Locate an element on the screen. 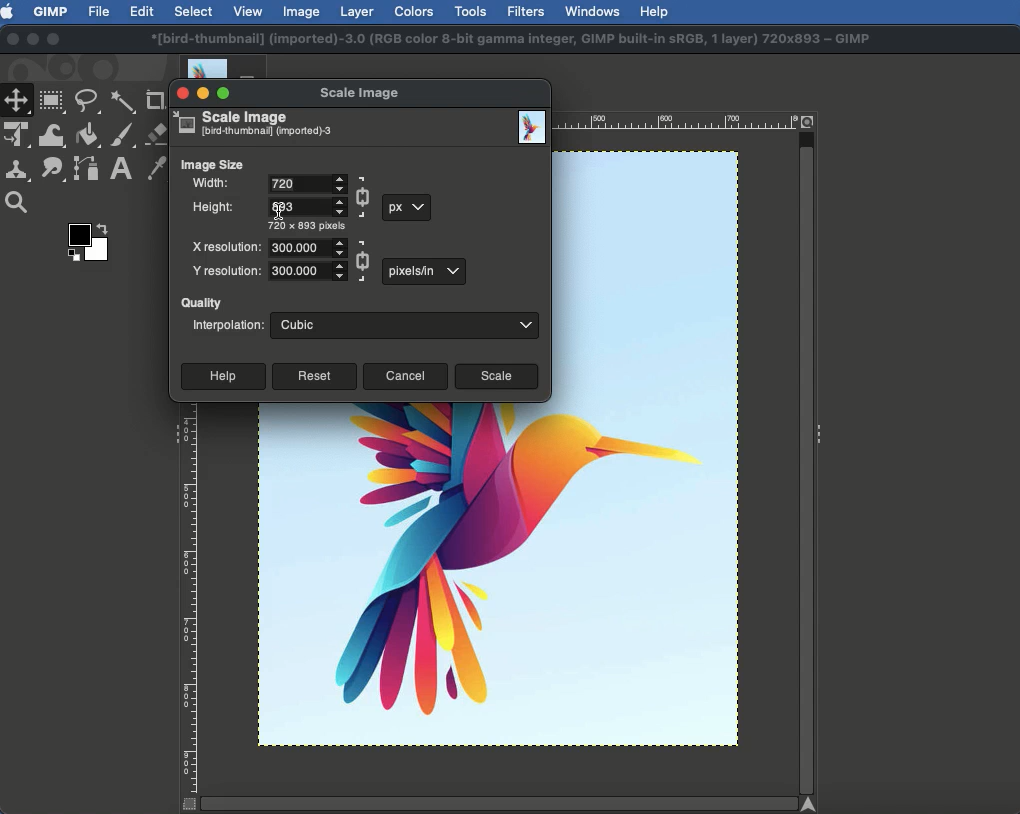 The width and height of the screenshot is (1020, 814). Scale image is located at coordinates (358, 88).